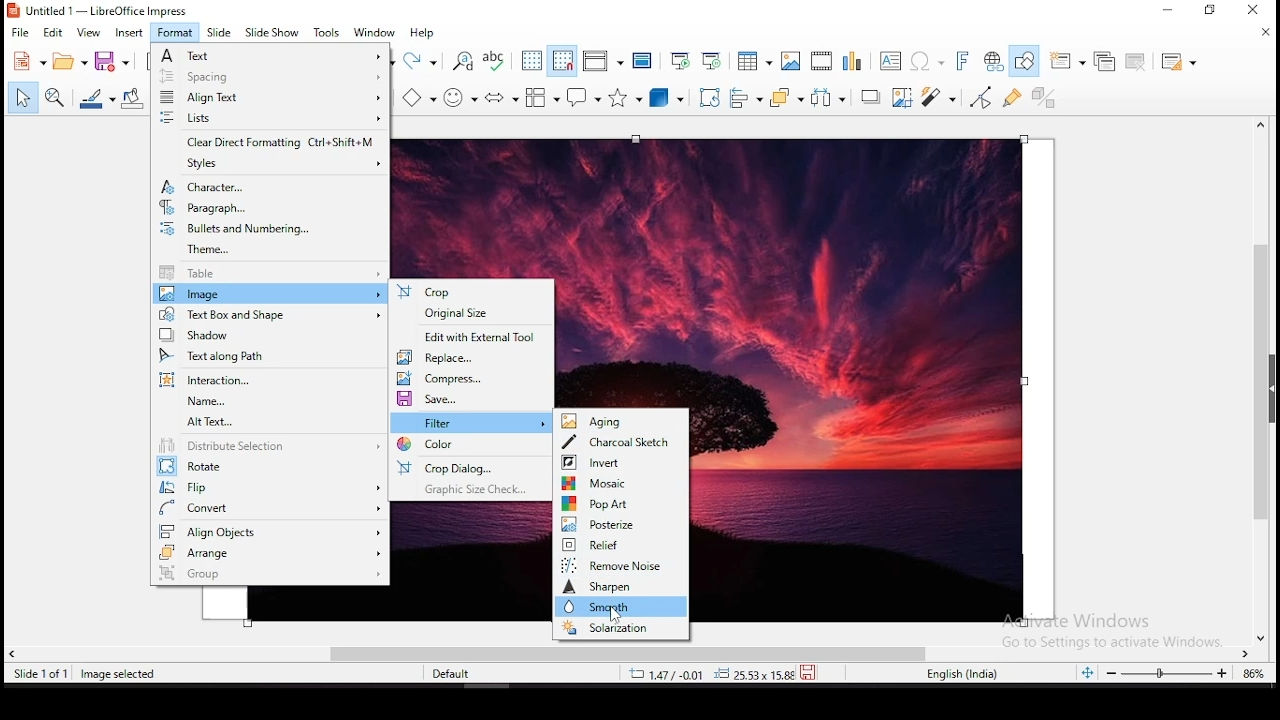 This screenshot has height=720, width=1280. What do you see at coordinates (89, 33) in the screenshot?
I see `view` at bounding box center [89, 33].